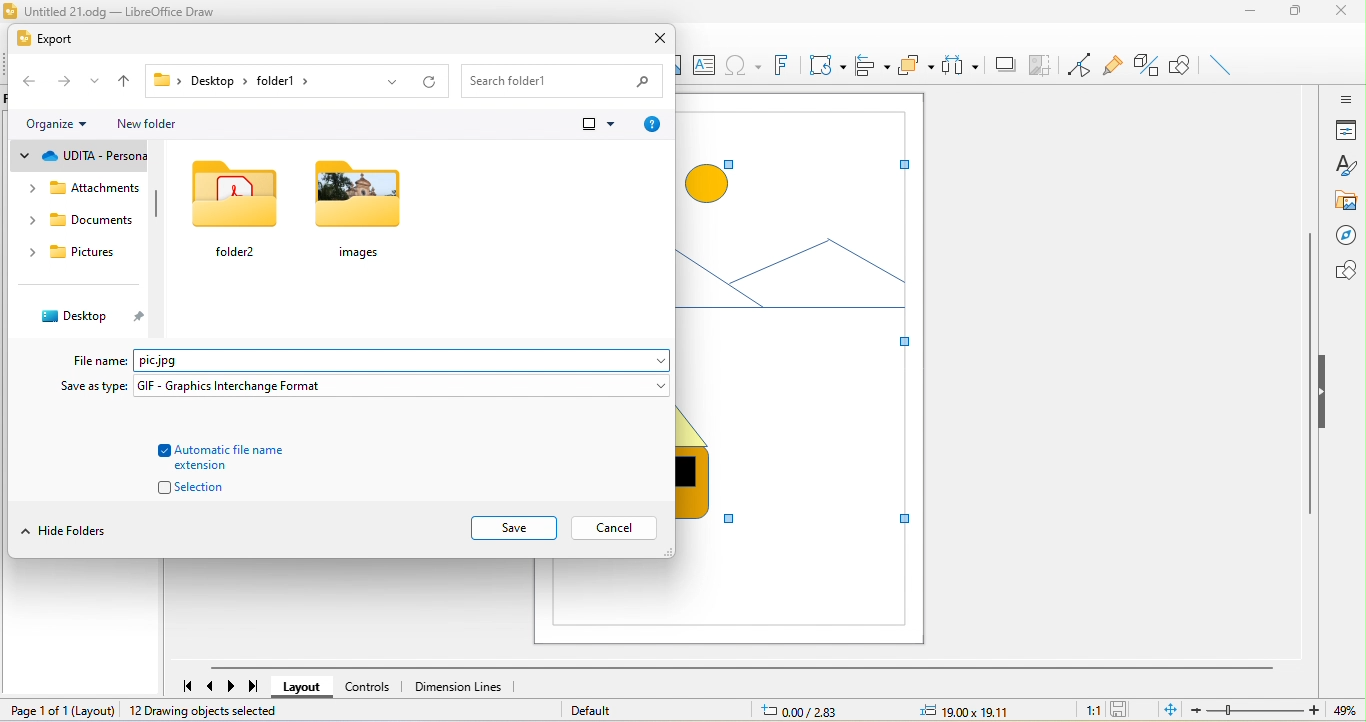 The height and width of the screenshot is (722, 1366). What do you see at coordinates (45, 39) in the screenshot?
I see `export` at bounding box center [45, 39].